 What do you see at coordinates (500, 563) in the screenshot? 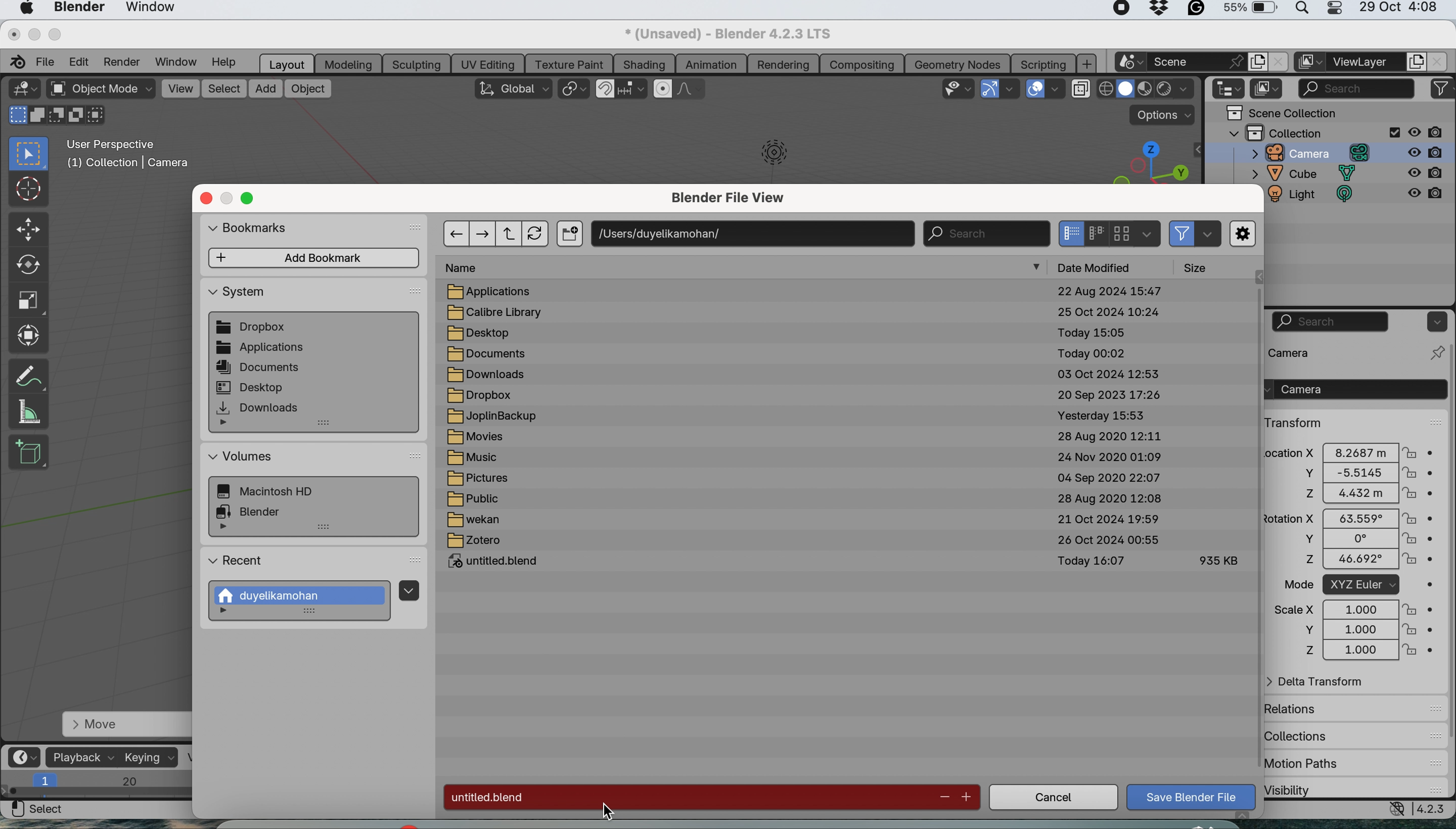
I see `untitled.blend` at bounding box center [500, 563].